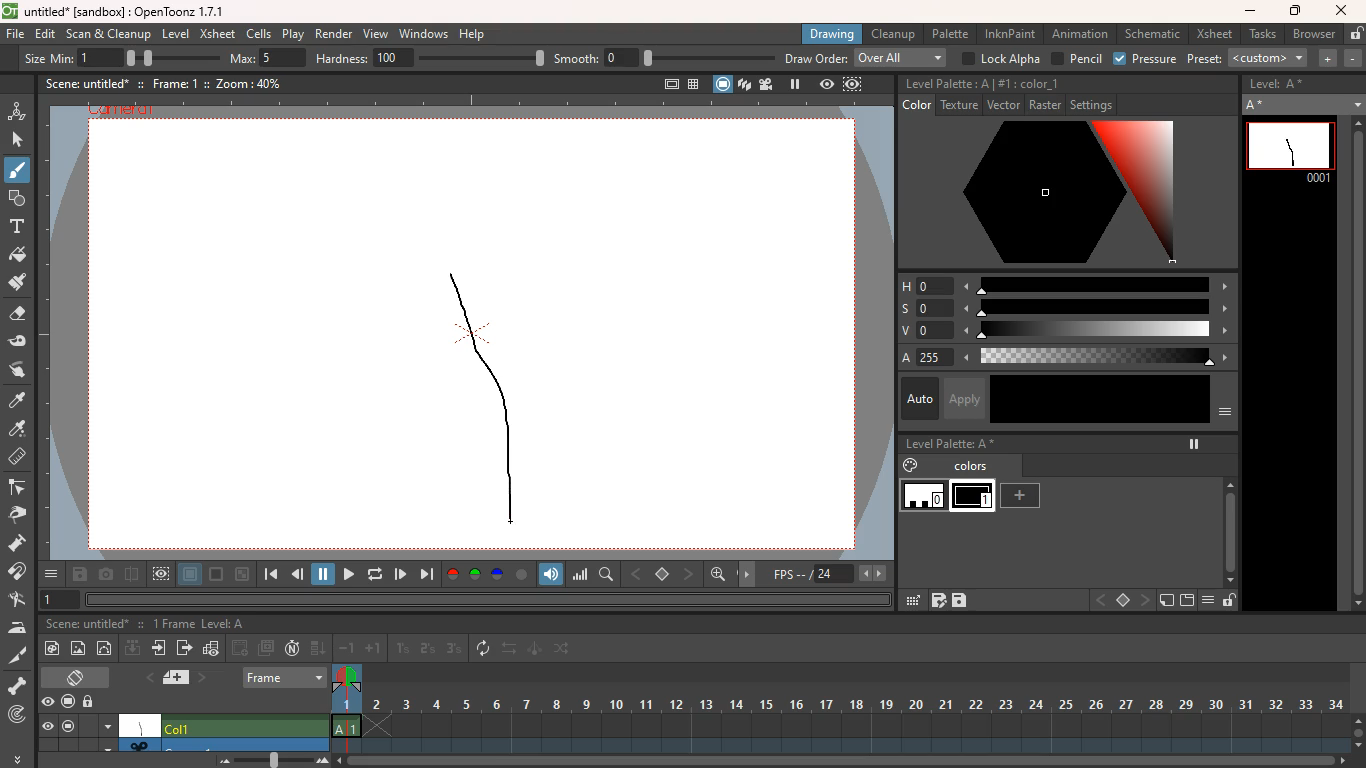 The width and height of the screenshot is (1366, 768). What do you see at coordinates (79, 576) in the screenshot?
I see `save` at bounding box center [79, 576].